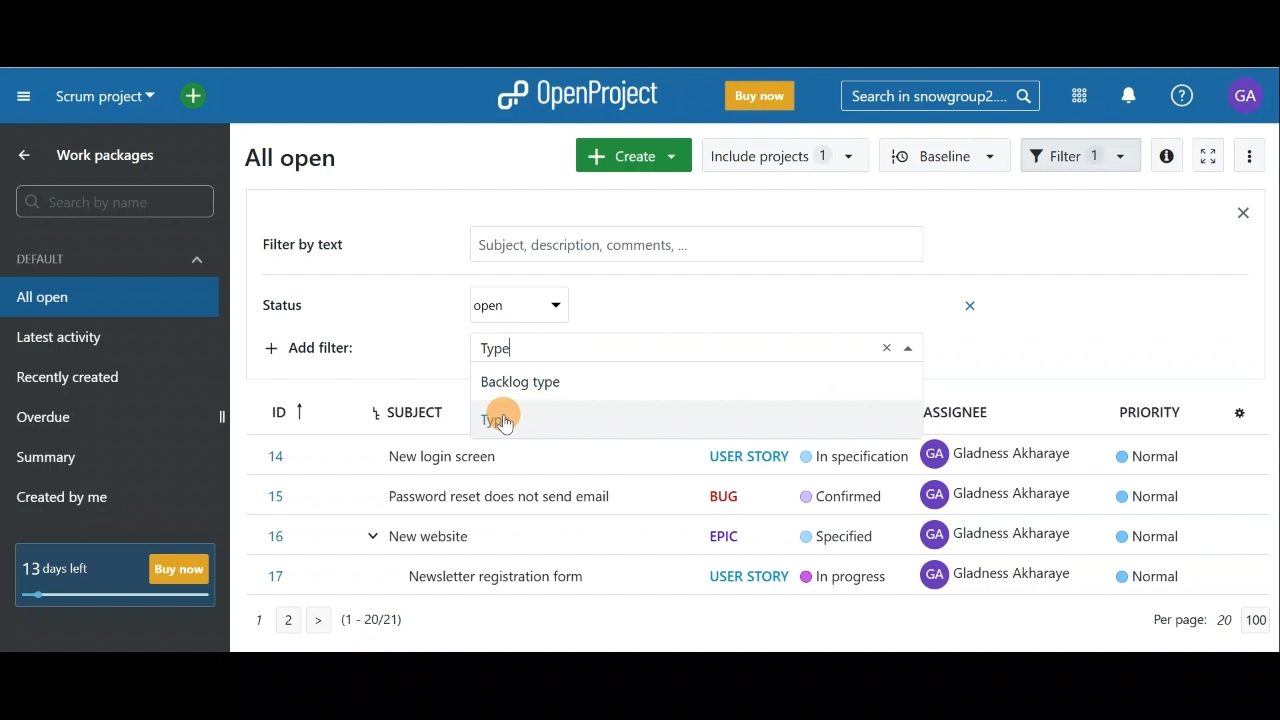  What do you see at coordinates (714, 499) in the screenshot?
I see `Item 7` at bounding box center [714, 499].